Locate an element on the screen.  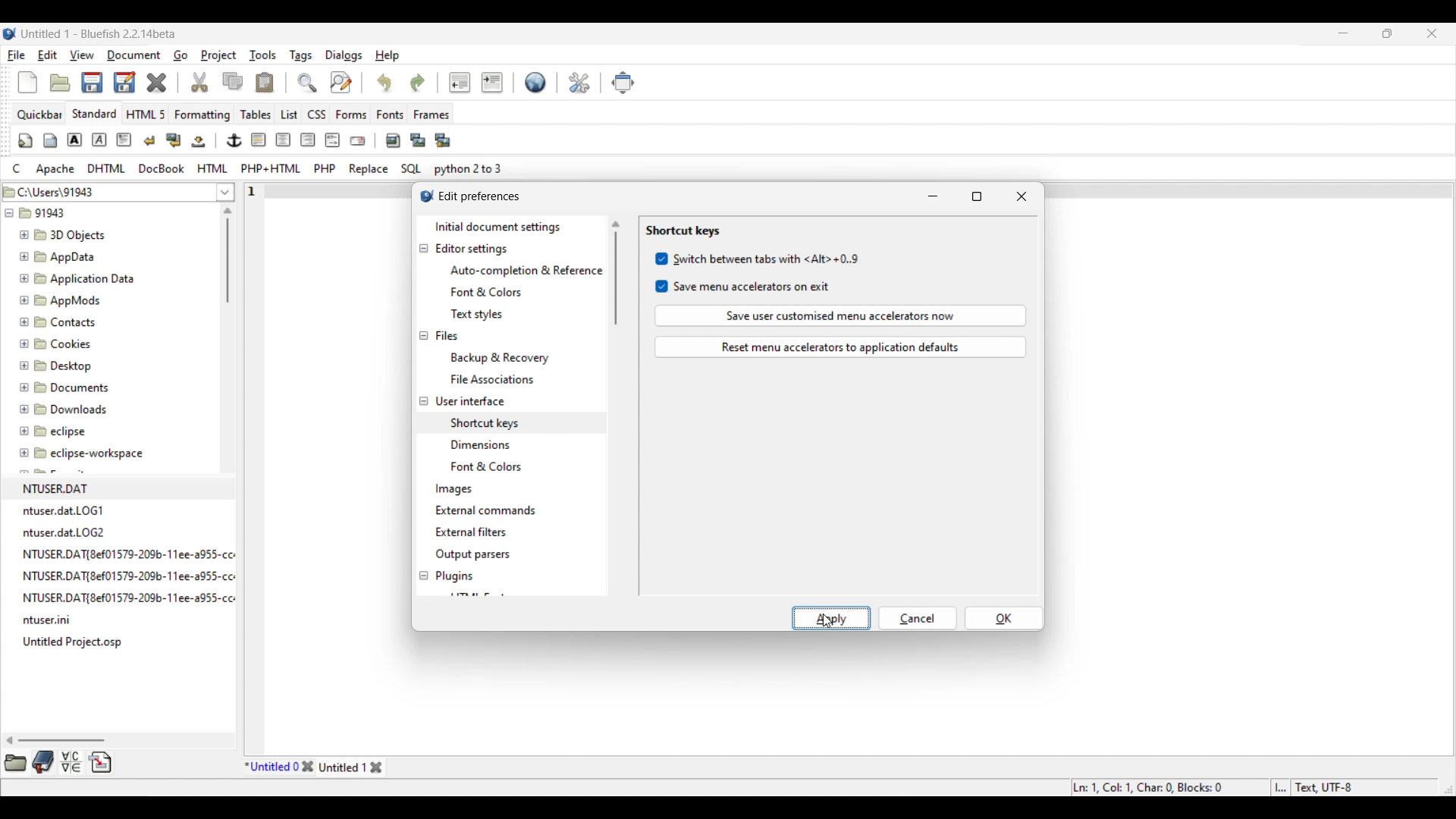
Vertical slide bar is located at coordinates (227, 255).